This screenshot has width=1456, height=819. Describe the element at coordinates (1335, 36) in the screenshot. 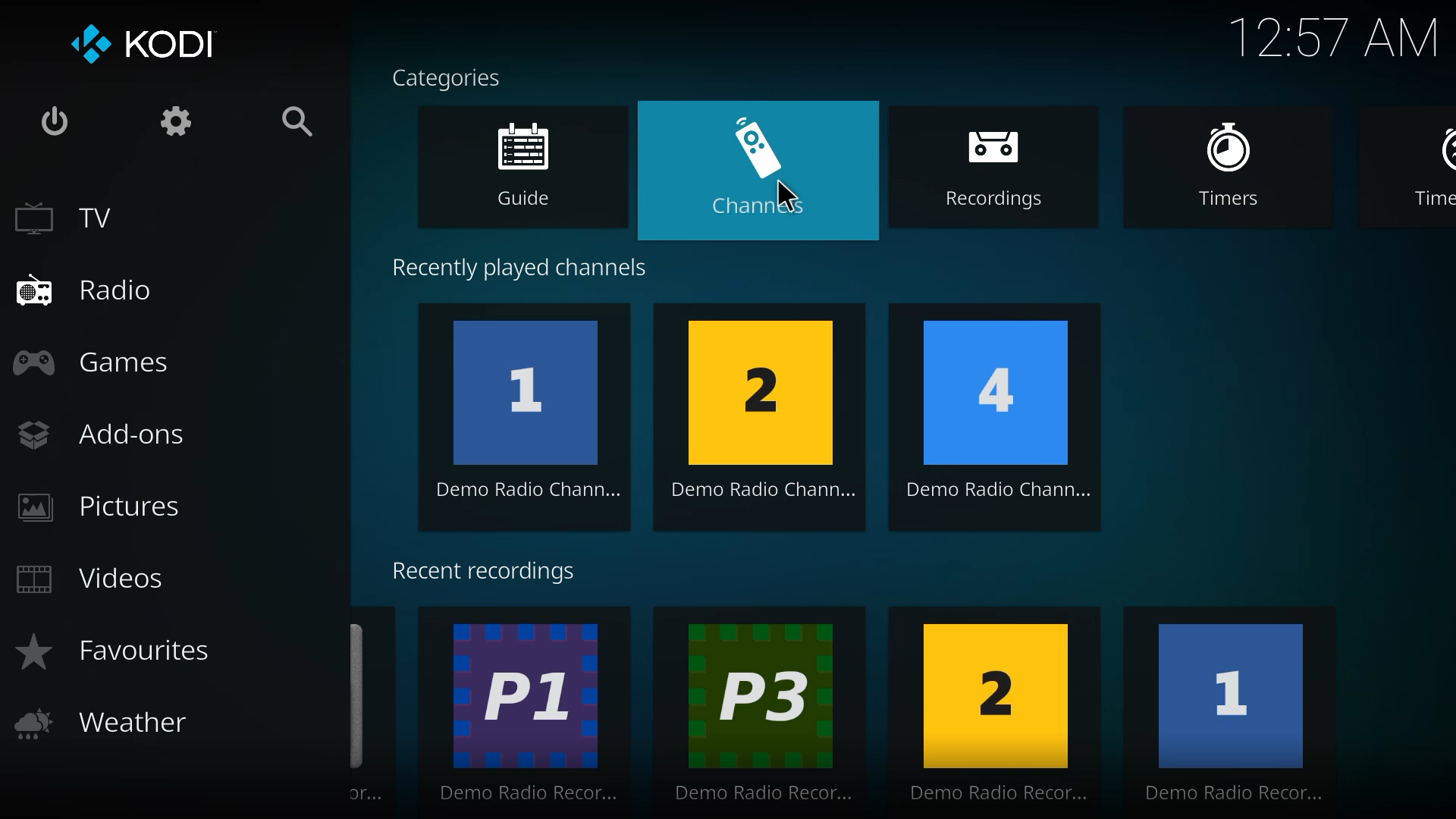

I see `time` at that location.